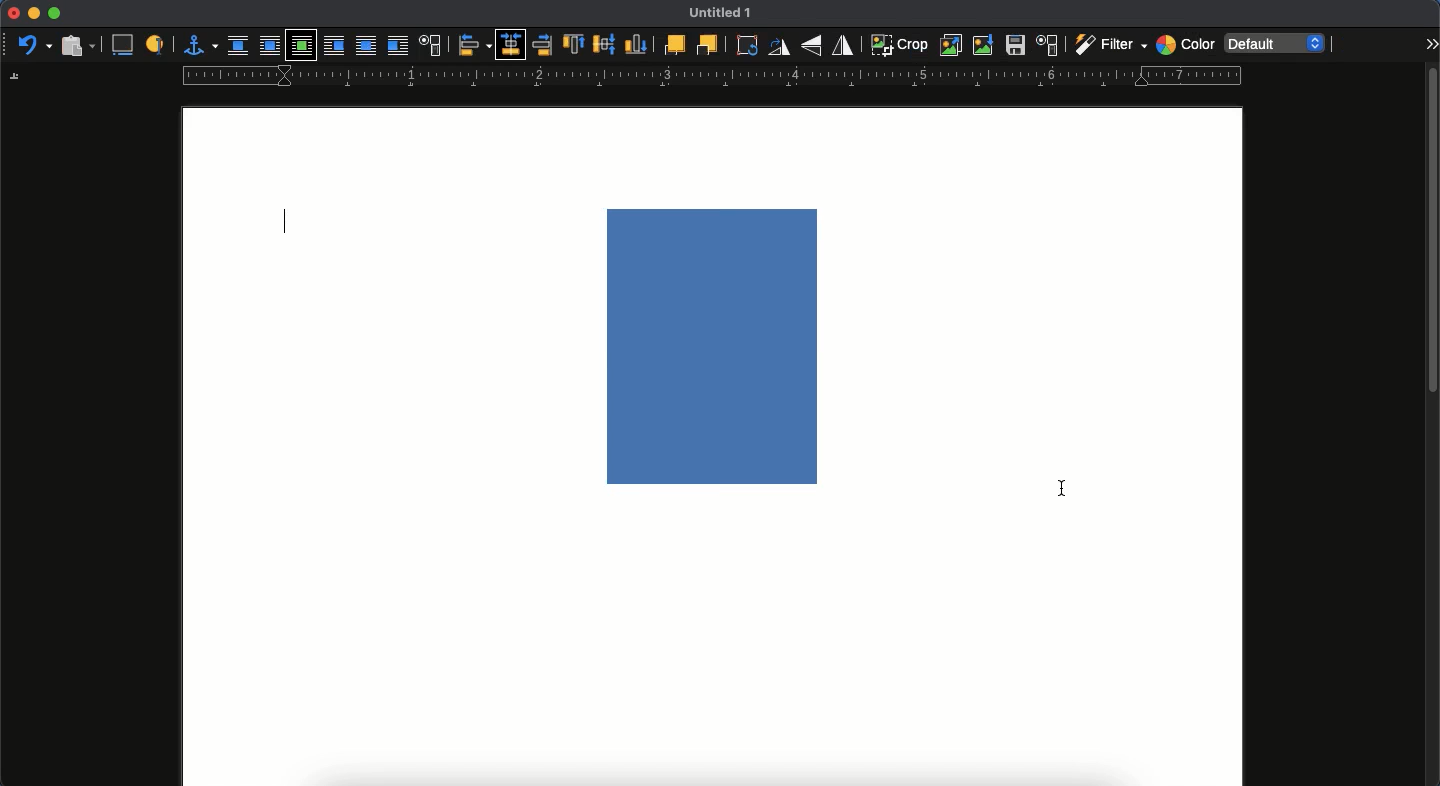  I want to click on guide, so click(711, 76).